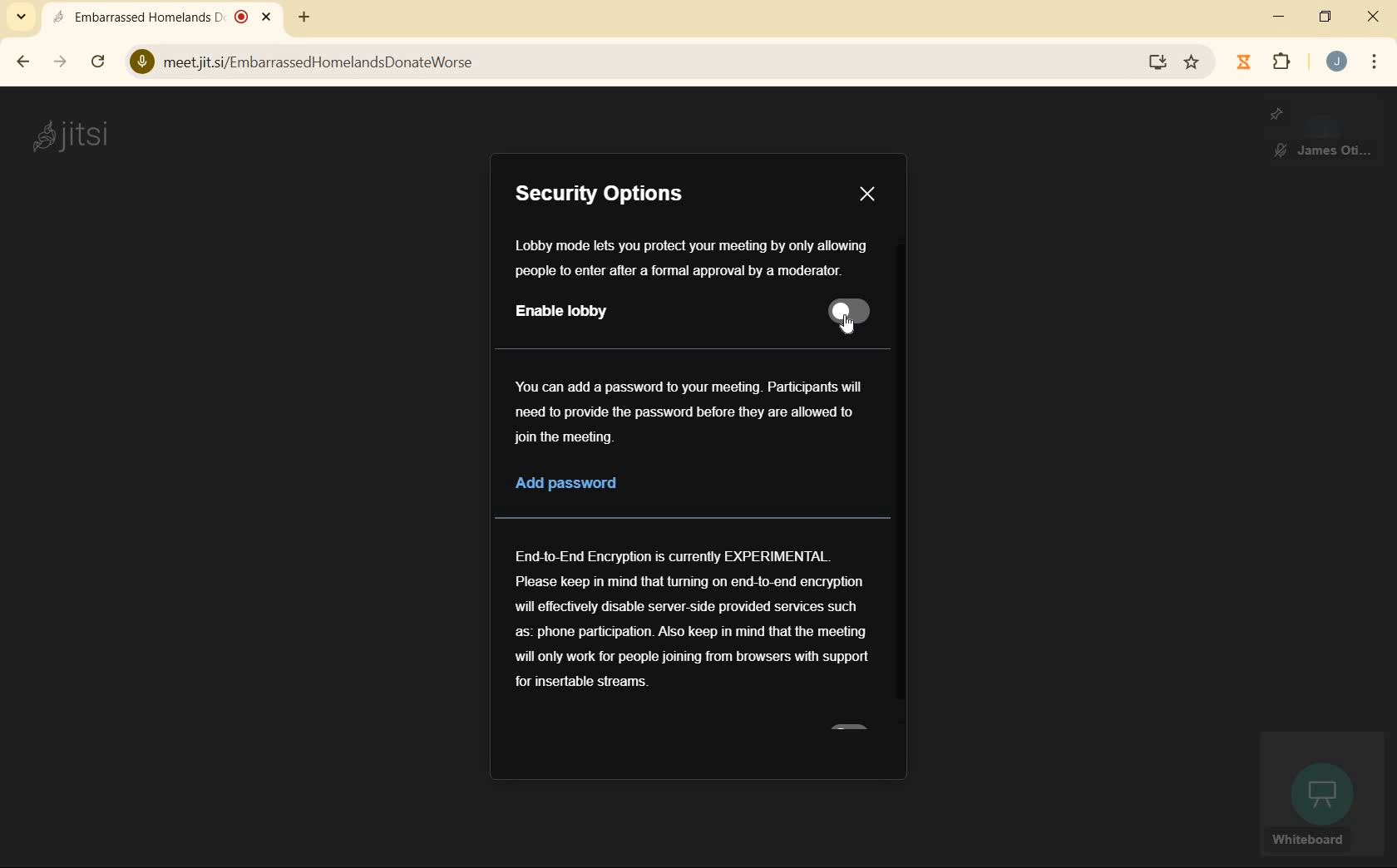 The height and width of the screenshot is (868, 1397). What do you see at coordinates (694, 621) in the screenshot?
I see `End-End Encryption information` at bounding box center [694, 621].